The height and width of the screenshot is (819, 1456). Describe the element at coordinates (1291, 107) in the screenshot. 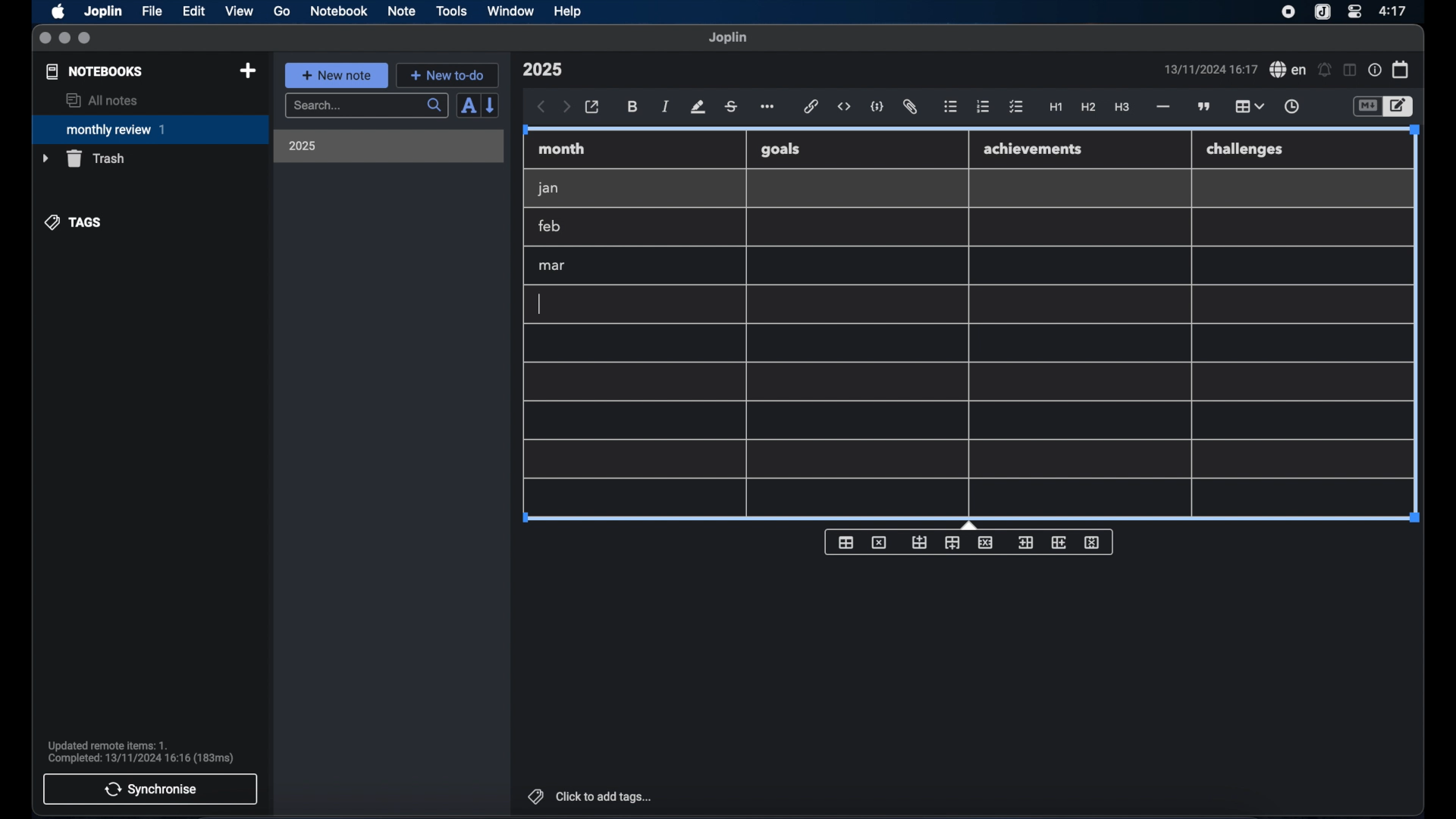

I see `insert time` at that location.